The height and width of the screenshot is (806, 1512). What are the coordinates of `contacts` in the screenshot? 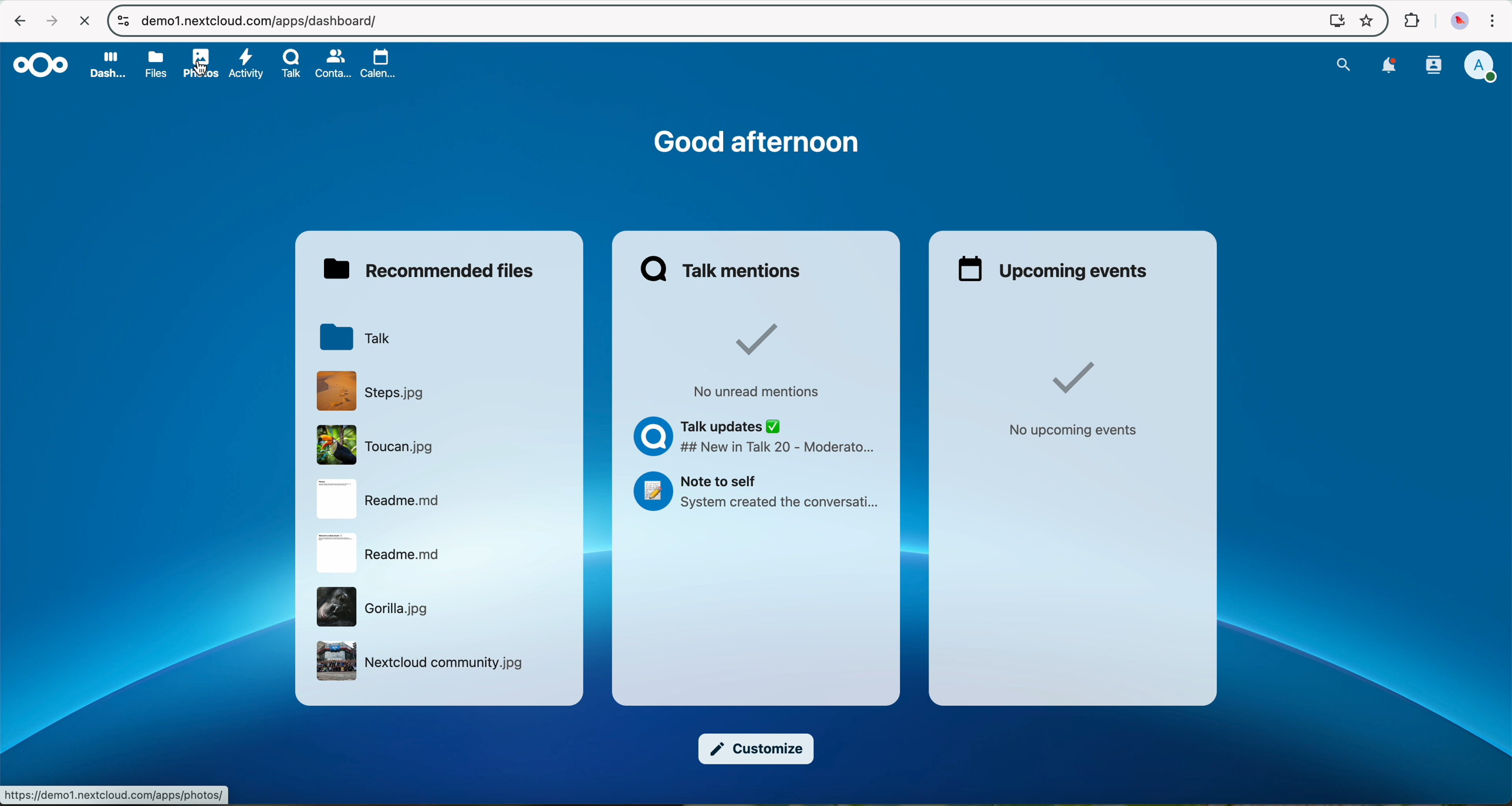 It's located at (1430, 65).